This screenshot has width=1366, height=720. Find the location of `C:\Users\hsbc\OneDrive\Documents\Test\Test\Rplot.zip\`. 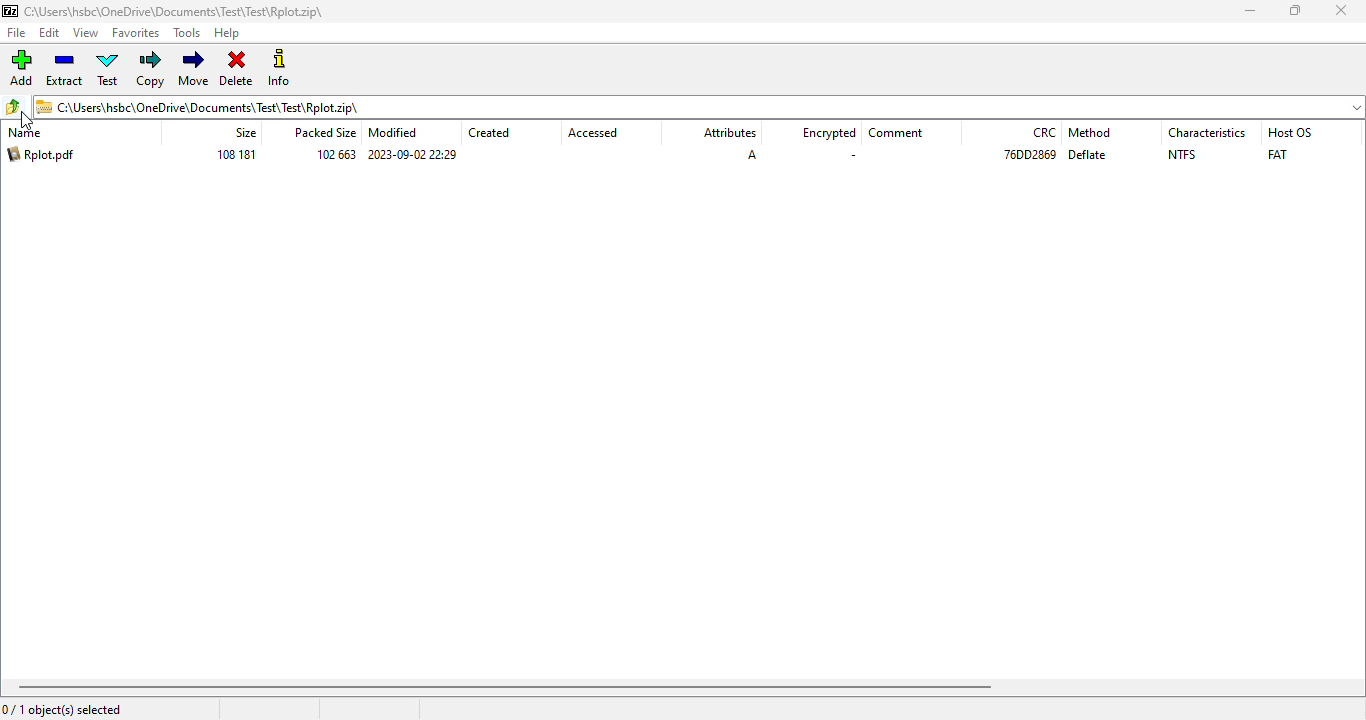

C:\Users\hsbc\OneDrive\Documents\Test\Test\Rplot.zip\ is located at coordinates (674, 106).